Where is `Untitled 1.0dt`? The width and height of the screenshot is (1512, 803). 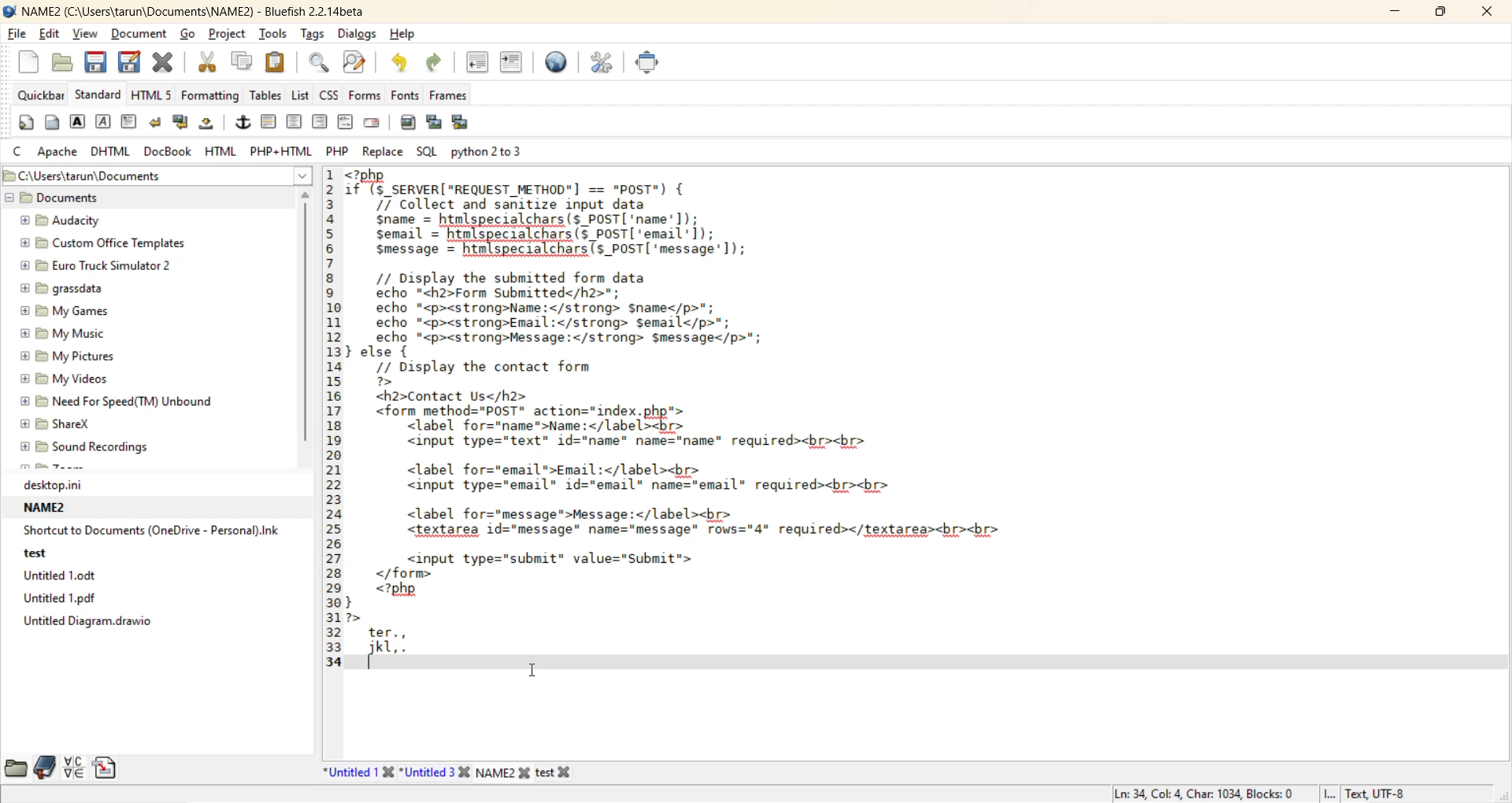
Untitled 1.0dt is located at coordinates (77, 575).